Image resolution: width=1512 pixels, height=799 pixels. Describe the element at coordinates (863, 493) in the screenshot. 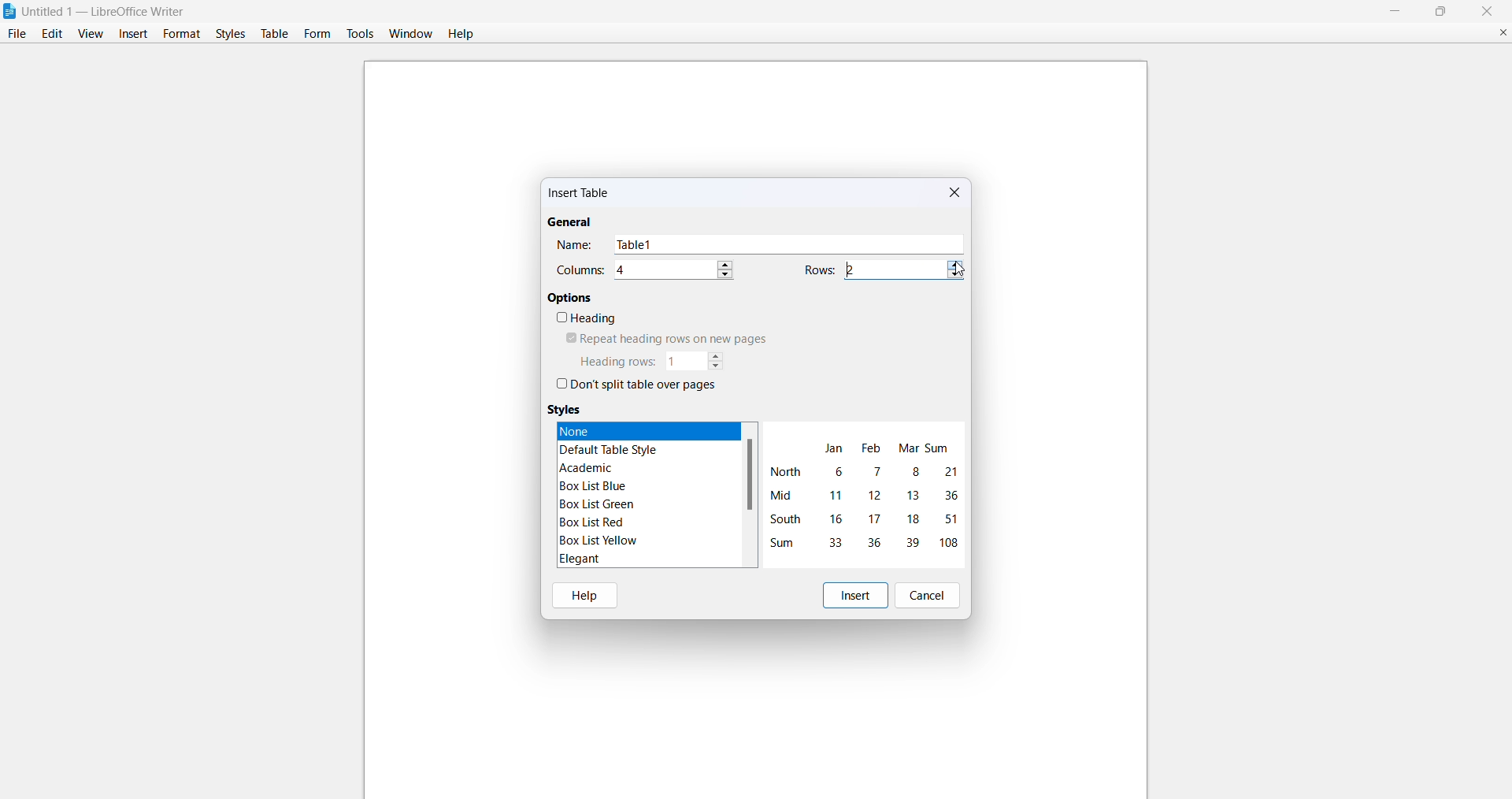

I see `table format` at that location.